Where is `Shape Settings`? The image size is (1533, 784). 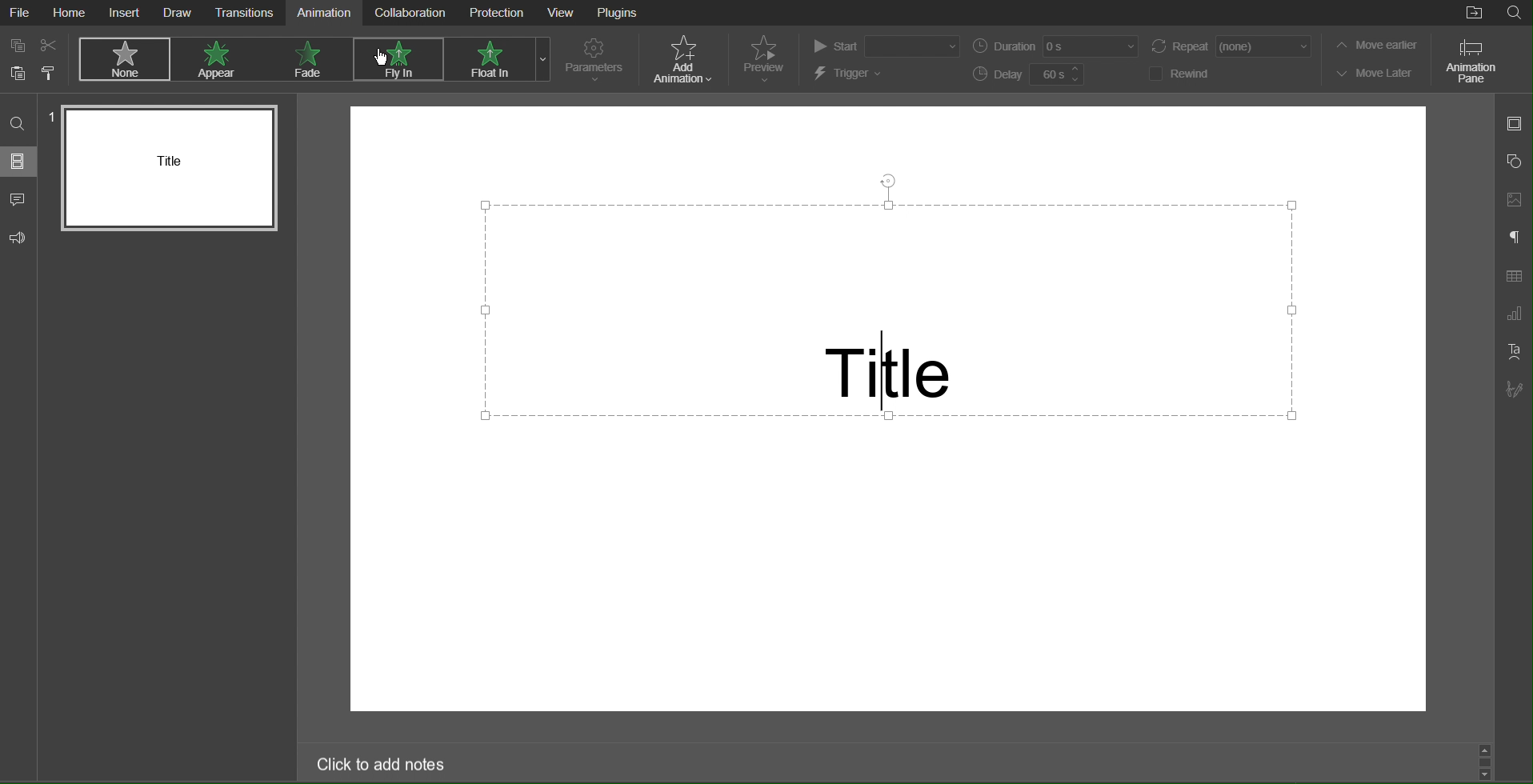 Shape Settings is located at coordinates (1515, 160).